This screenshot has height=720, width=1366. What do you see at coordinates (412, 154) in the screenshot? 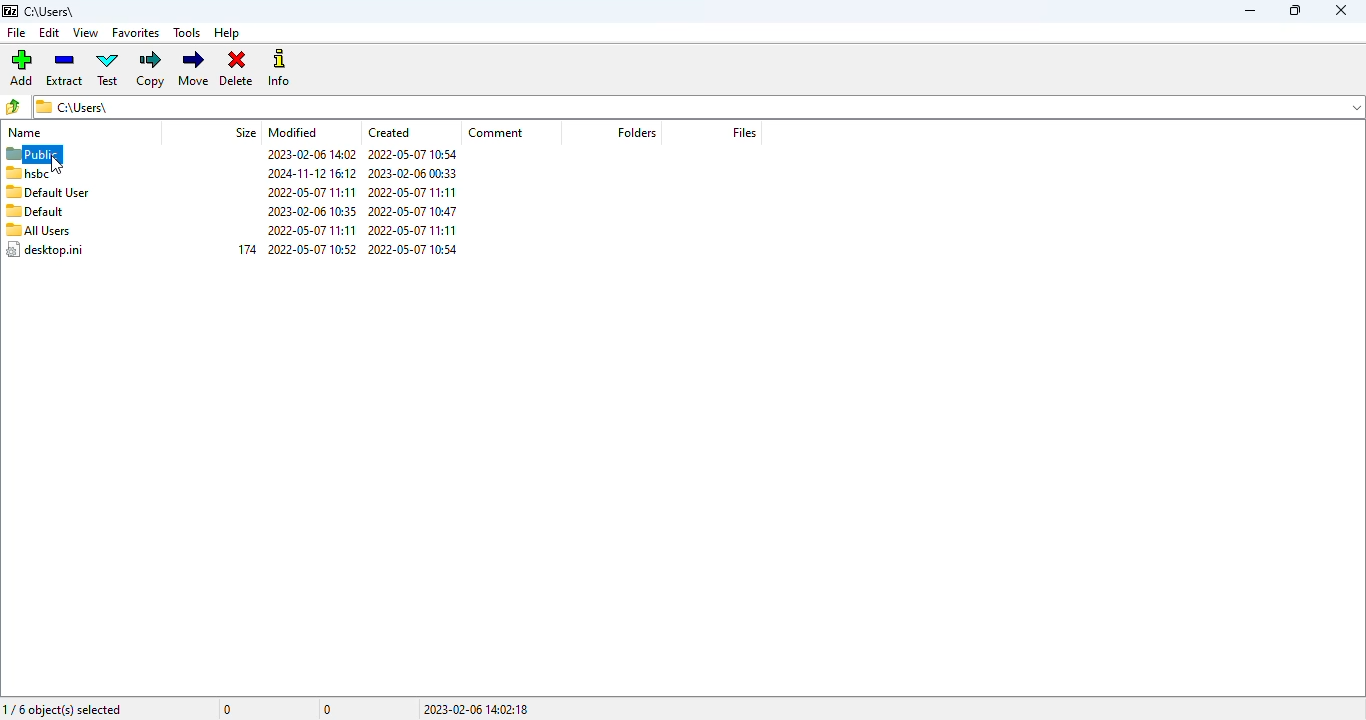
I see `2022-05-07 10:54` at bounding box center [412, 154].